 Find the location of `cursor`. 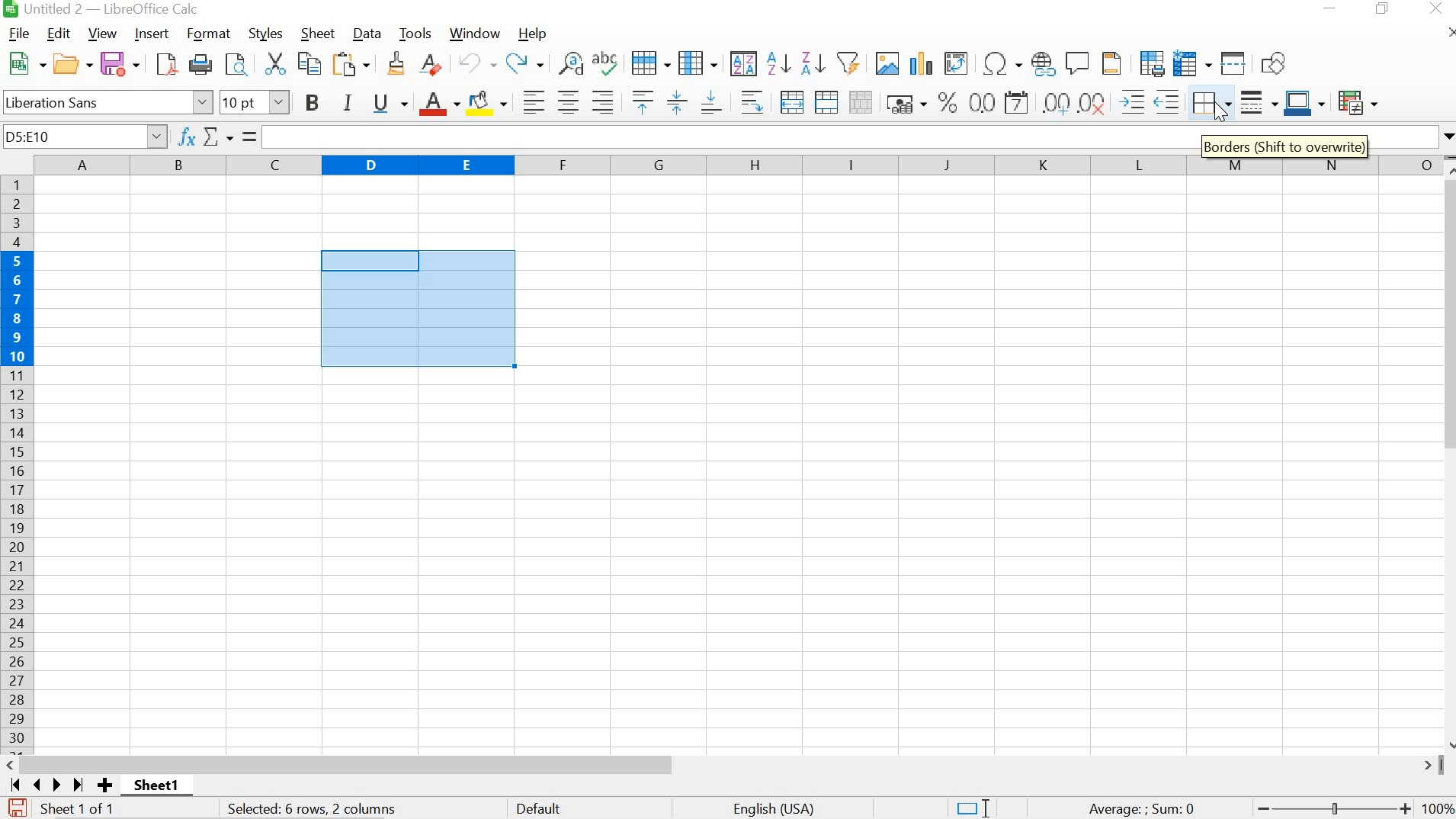

cursor is located at coordinates (1221, 114).